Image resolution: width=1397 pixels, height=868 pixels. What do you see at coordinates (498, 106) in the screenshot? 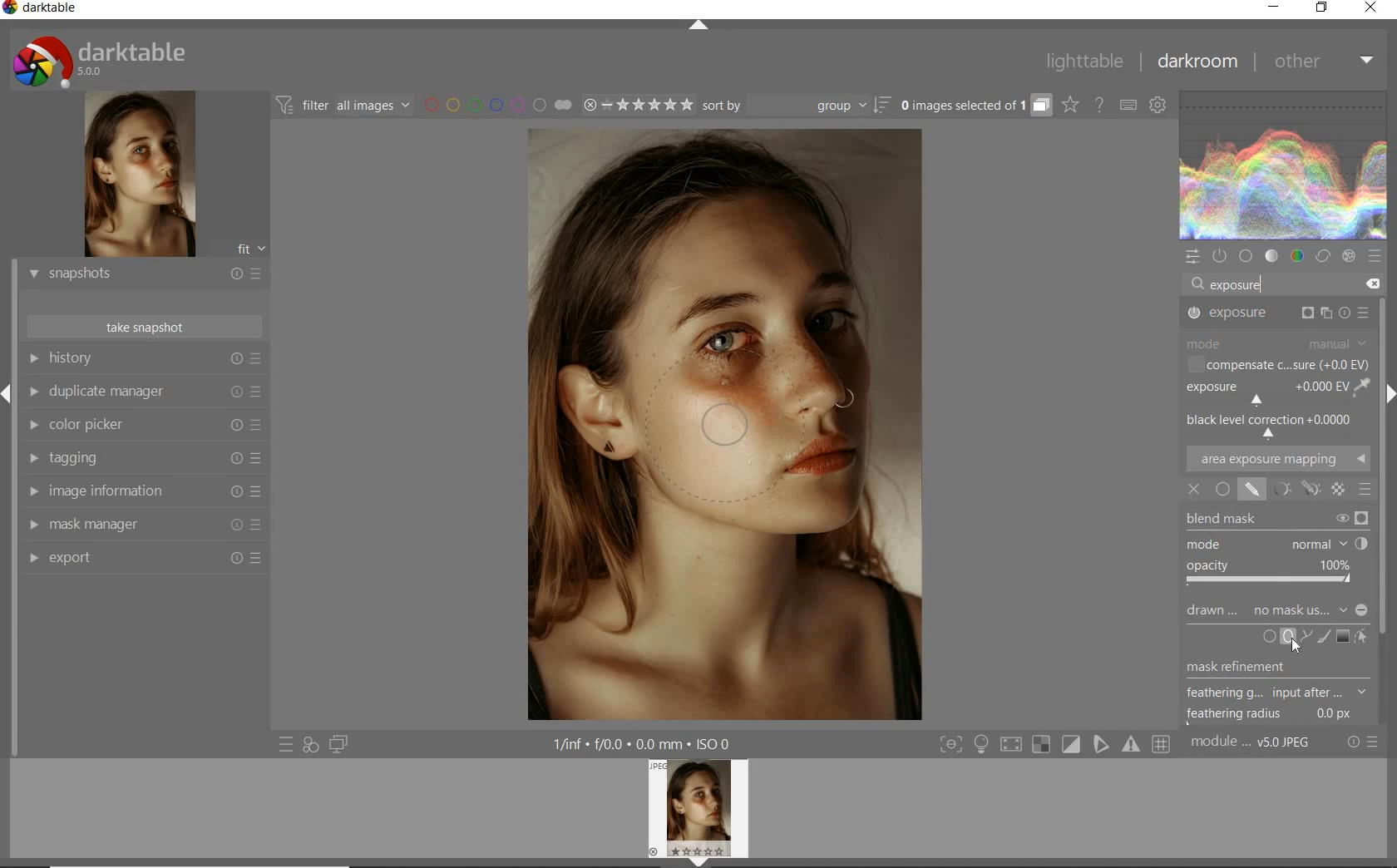
I see `filter by image color` at bounding box center [498, 106].